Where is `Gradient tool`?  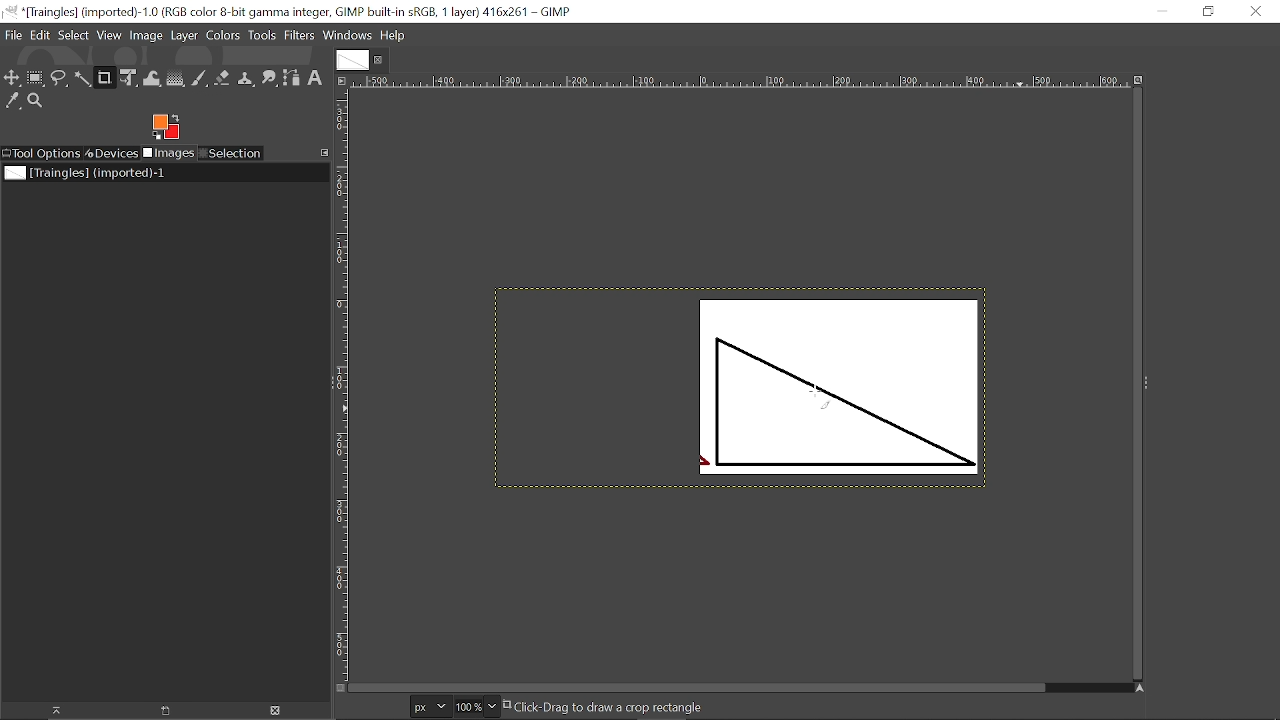 Gradient tool is located at coordinates (176, 78).